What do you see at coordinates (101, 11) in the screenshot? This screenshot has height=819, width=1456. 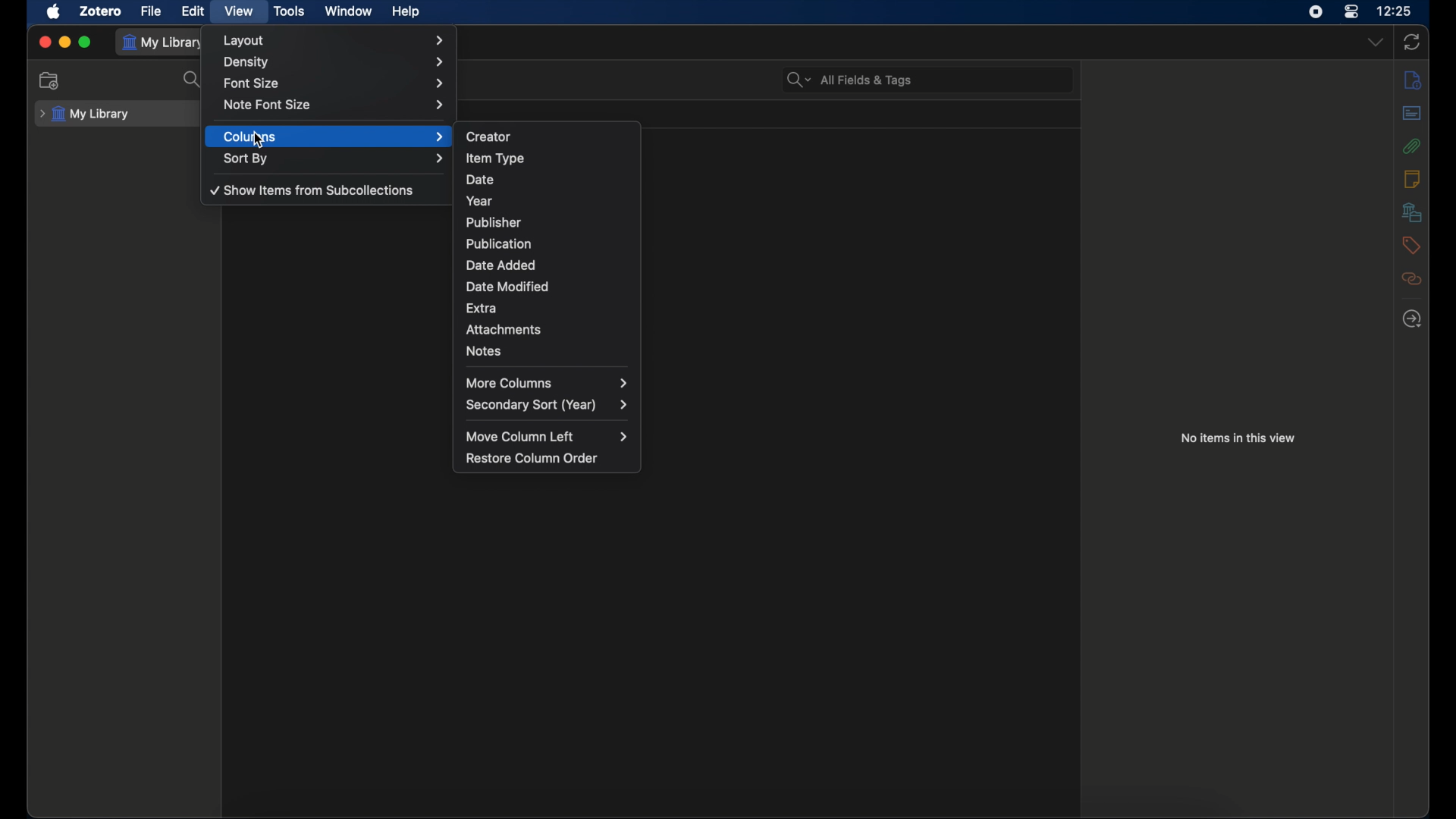 I see `zotero` at bounding box center [101, 11].